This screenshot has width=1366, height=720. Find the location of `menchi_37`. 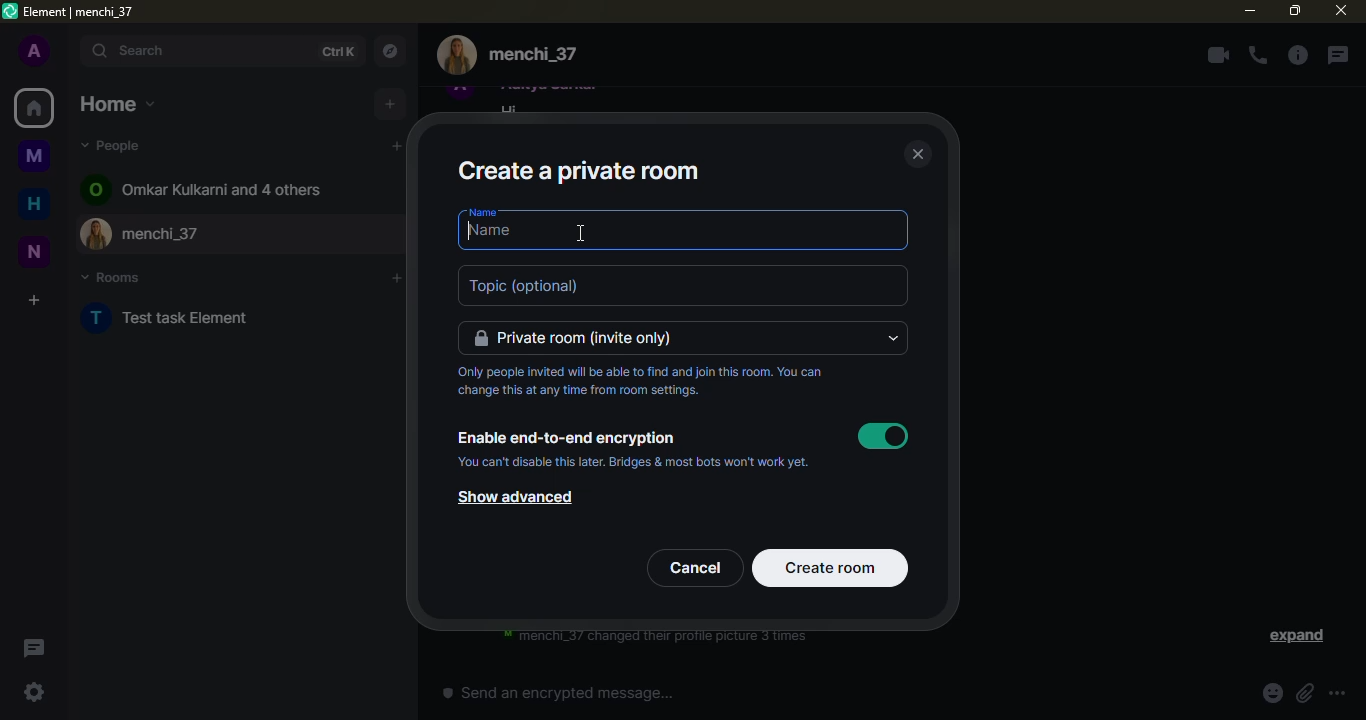

menchi_37 is located at coordinates (533, 55).